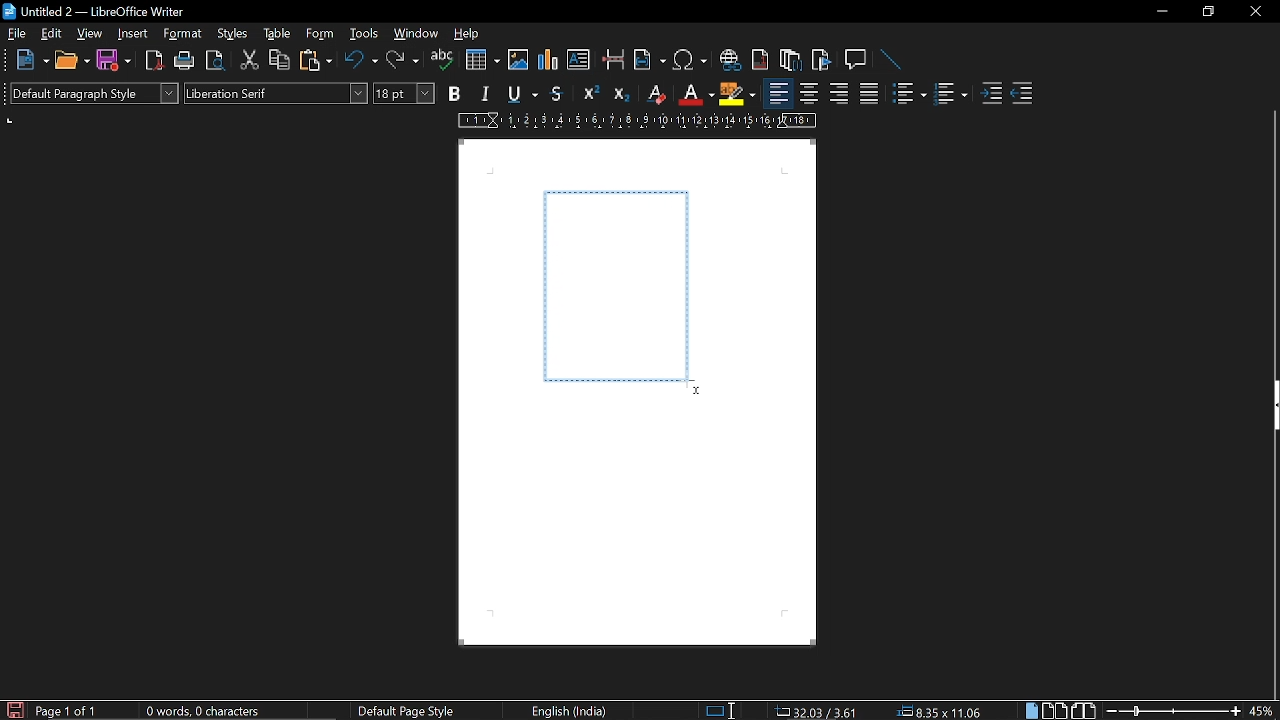 The height and width of the screenshot is (720, 1280). I want to click on paste, so click(318, 63).